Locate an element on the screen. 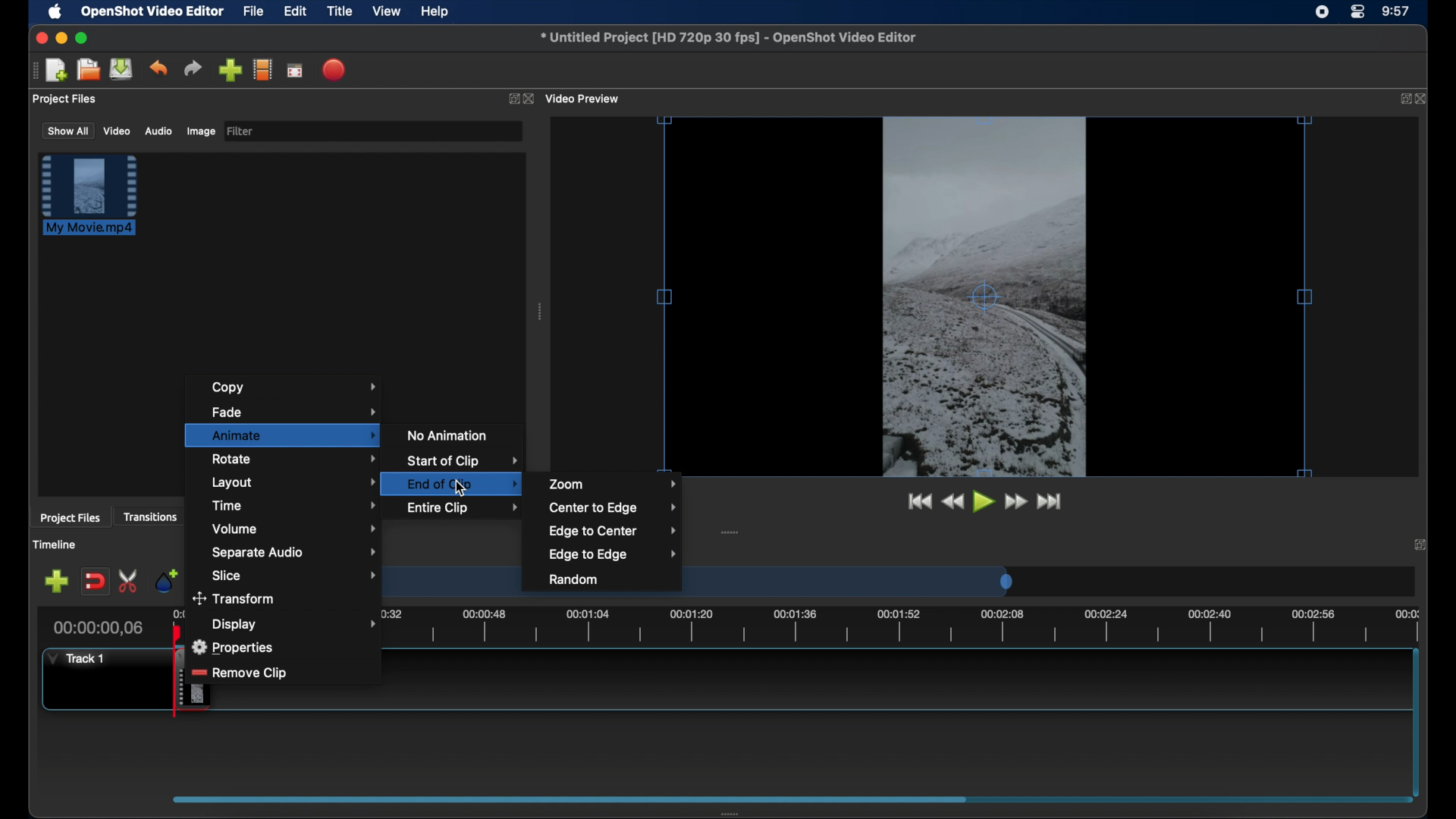 Image resolution: width=1456 pixels, height=819 pixels. layout menu is located at coordinates (294, 483).